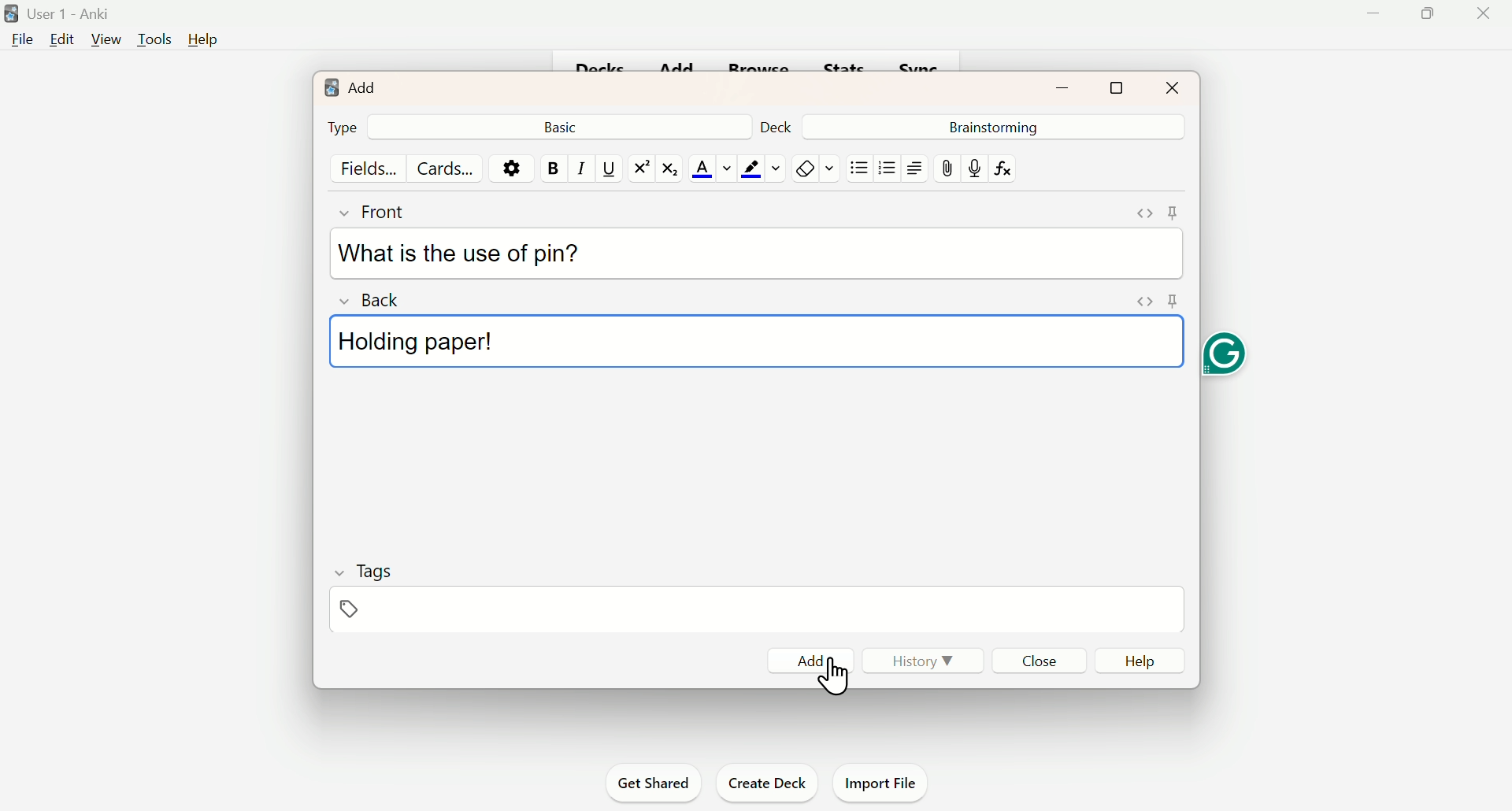 The image size is (1512, 811). Describe the element at coordinates (659, 783) in the screenshot. I see `Get Shared` at that location.